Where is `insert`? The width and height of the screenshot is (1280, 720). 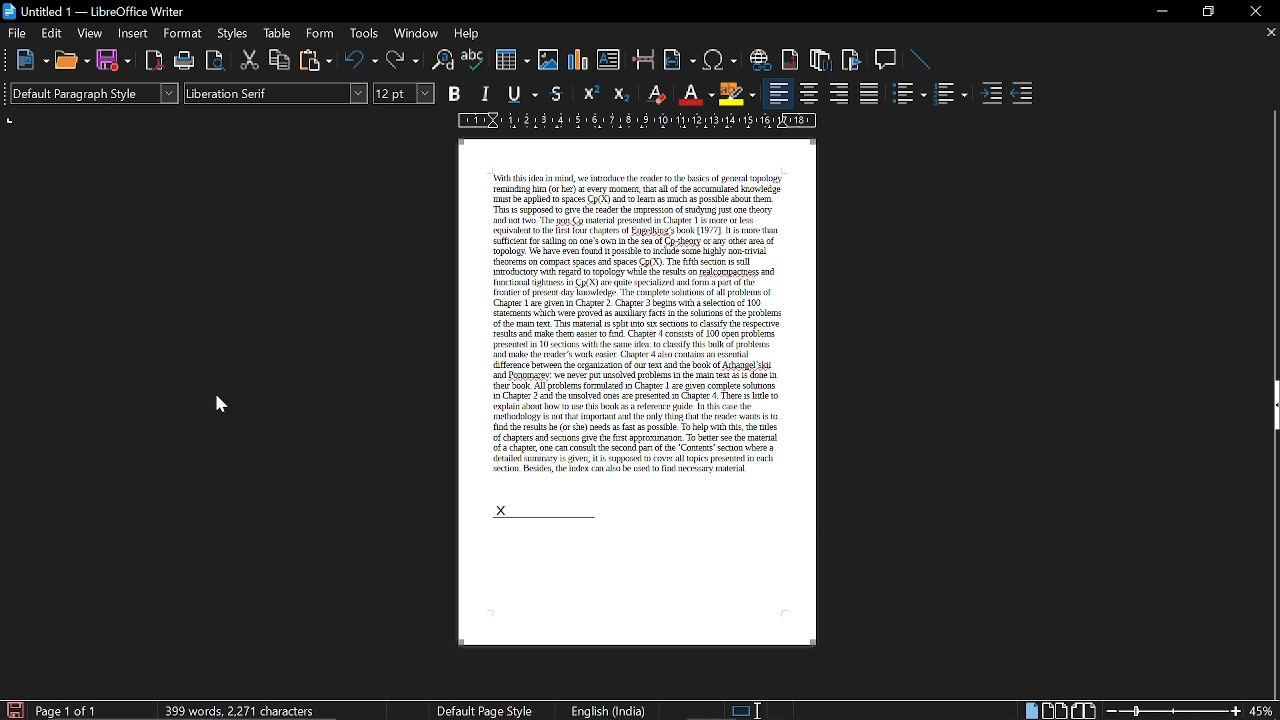 insert is located at coordinates (131, 32).